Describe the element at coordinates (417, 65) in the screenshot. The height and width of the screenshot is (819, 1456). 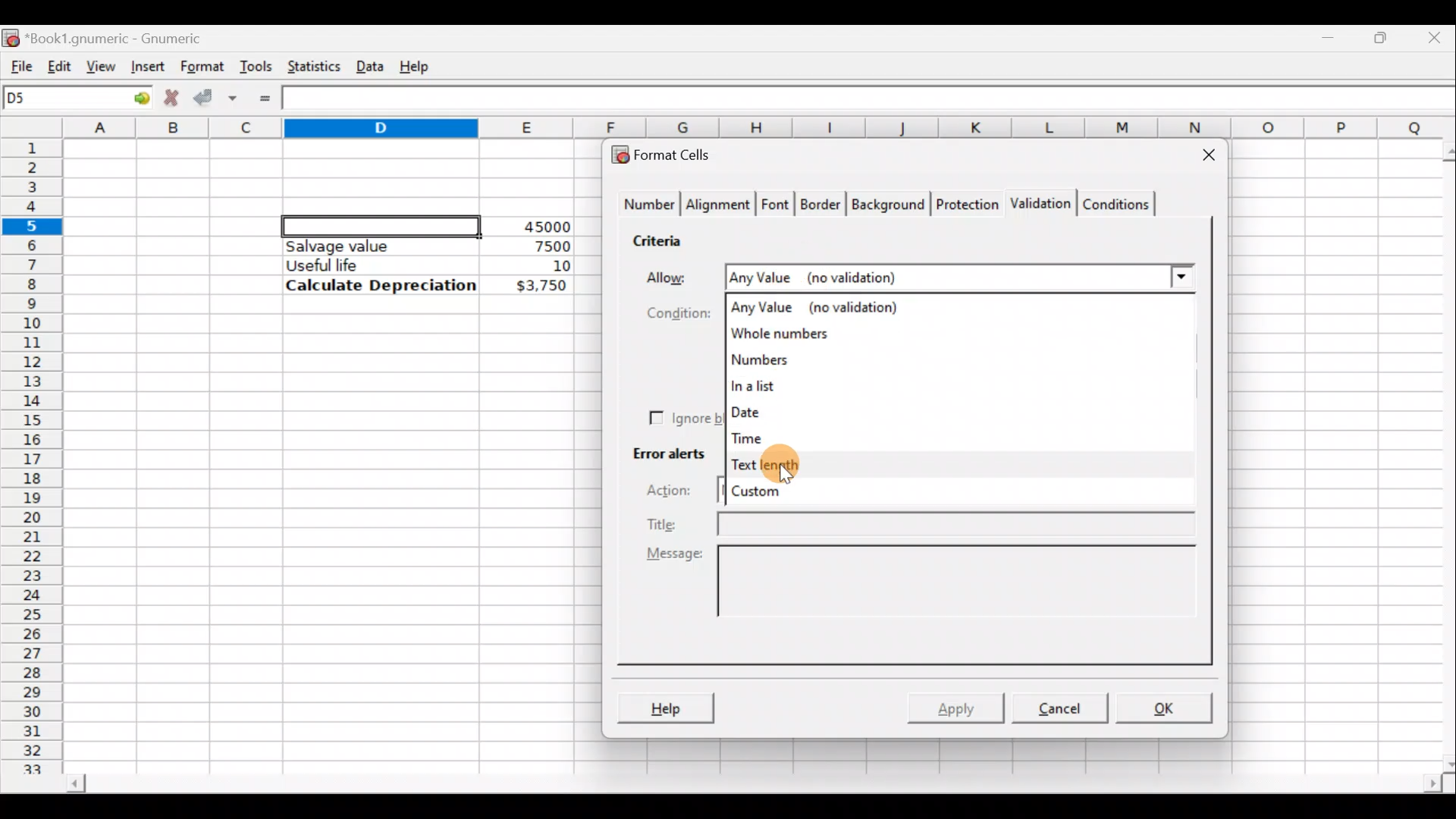
I see `Help` at that location.